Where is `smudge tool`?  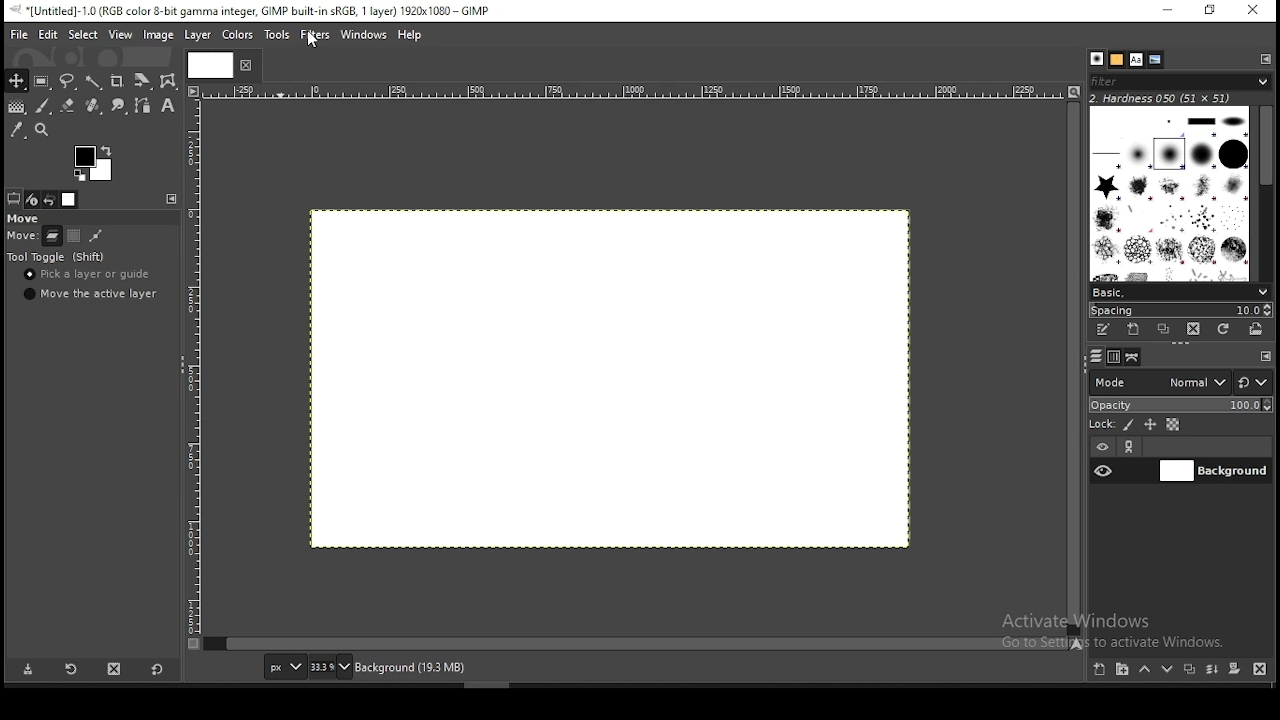
smudge tool is located at coordinates (121, 107).